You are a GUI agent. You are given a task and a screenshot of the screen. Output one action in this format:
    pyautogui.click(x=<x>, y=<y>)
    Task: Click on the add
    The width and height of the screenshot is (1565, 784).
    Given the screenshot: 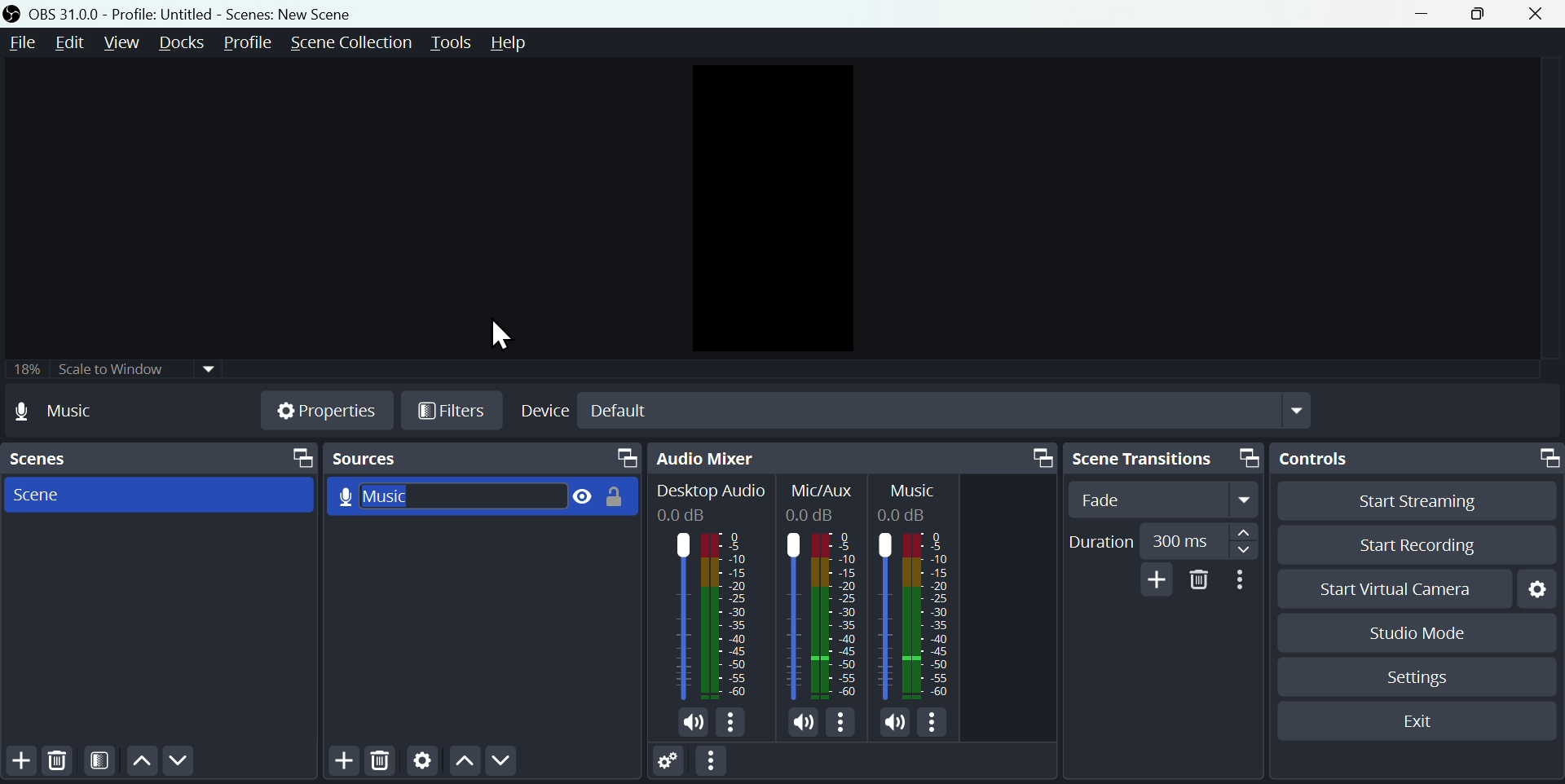 What is the action you would take?
    pyautogui.click(x=1159, y=577)
    